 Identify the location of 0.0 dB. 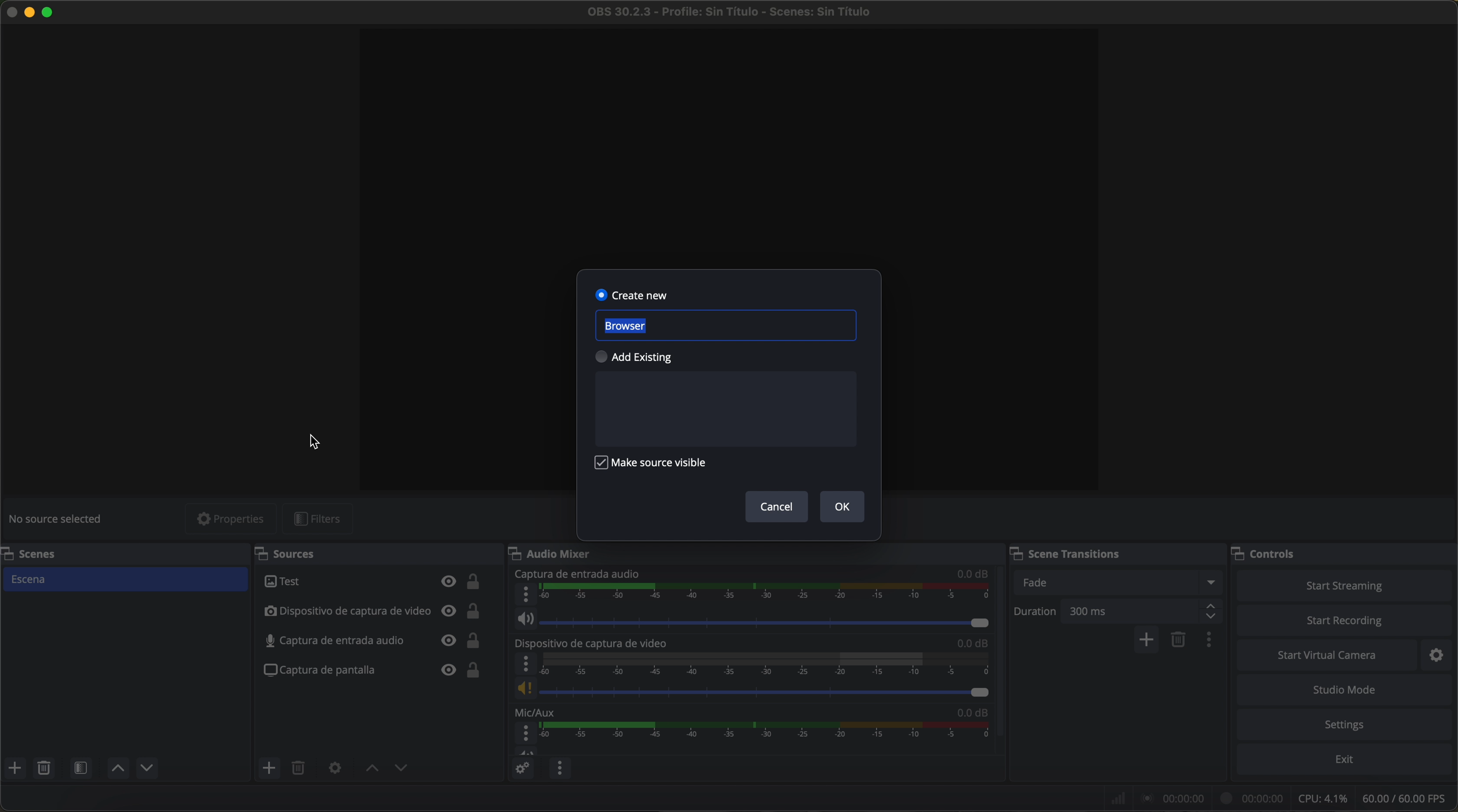
(967, 643).